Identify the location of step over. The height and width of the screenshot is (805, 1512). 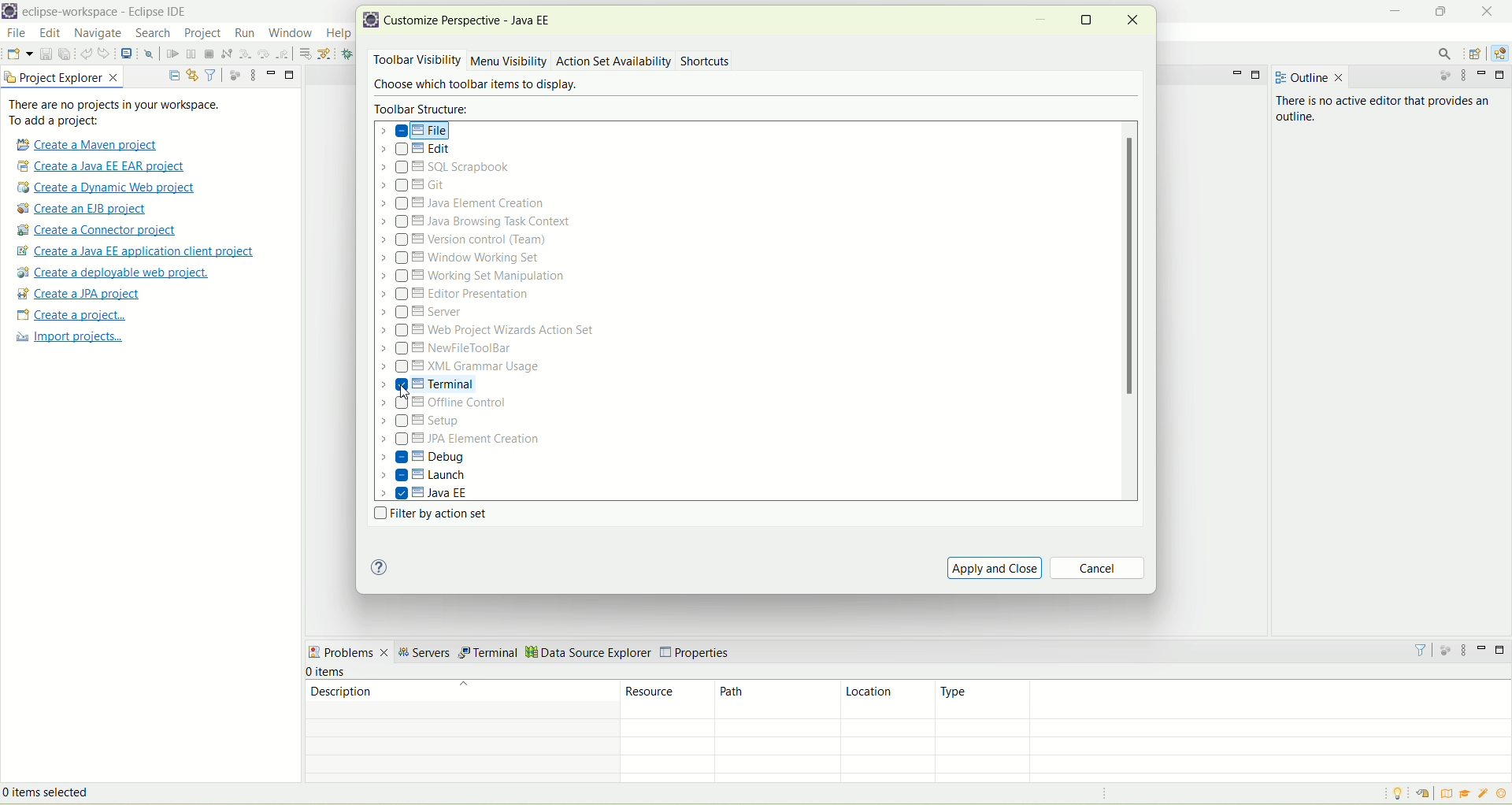
(264, 54).